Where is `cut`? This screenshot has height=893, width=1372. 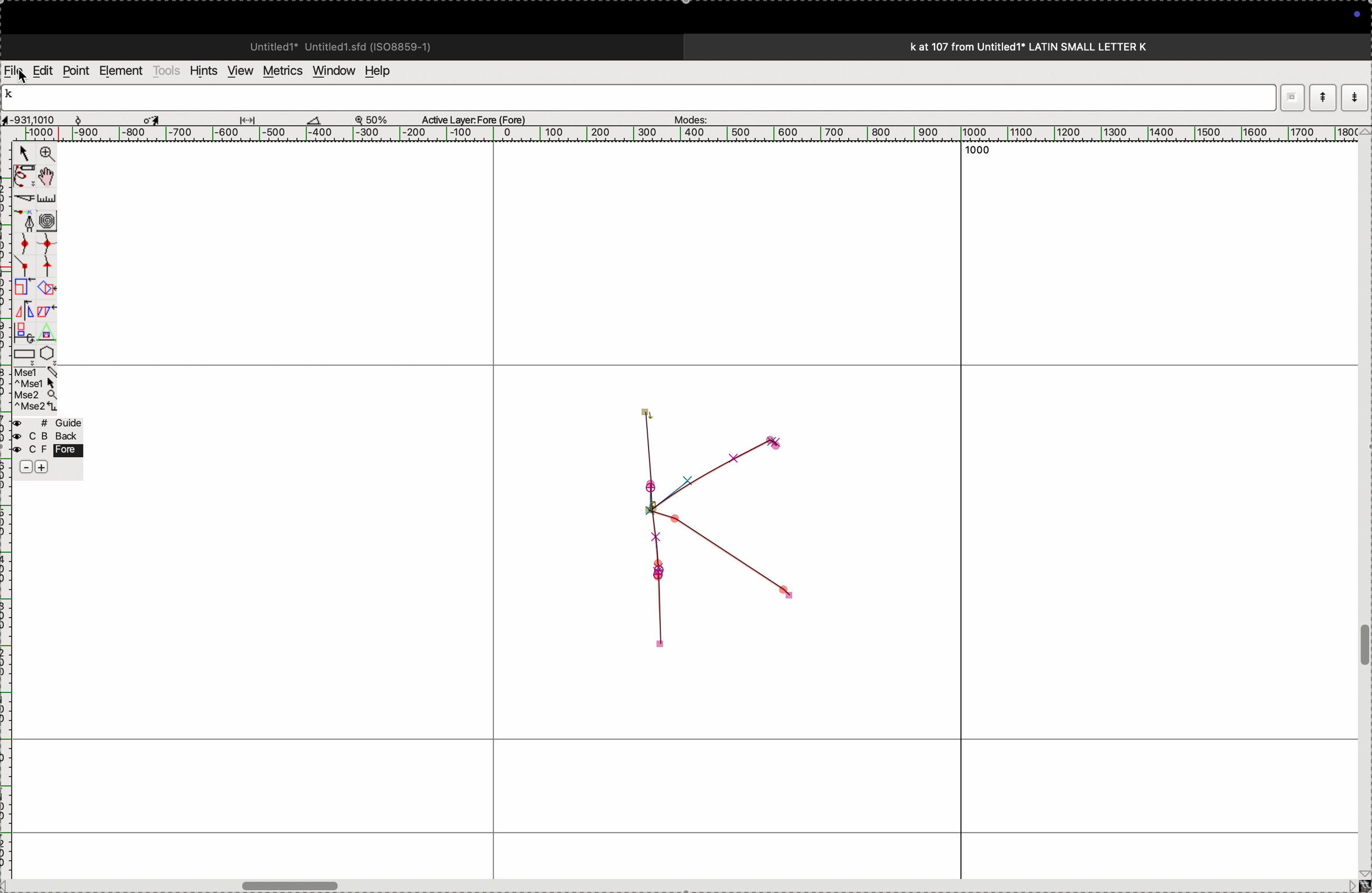 cut is located at coordinates (22, 198).